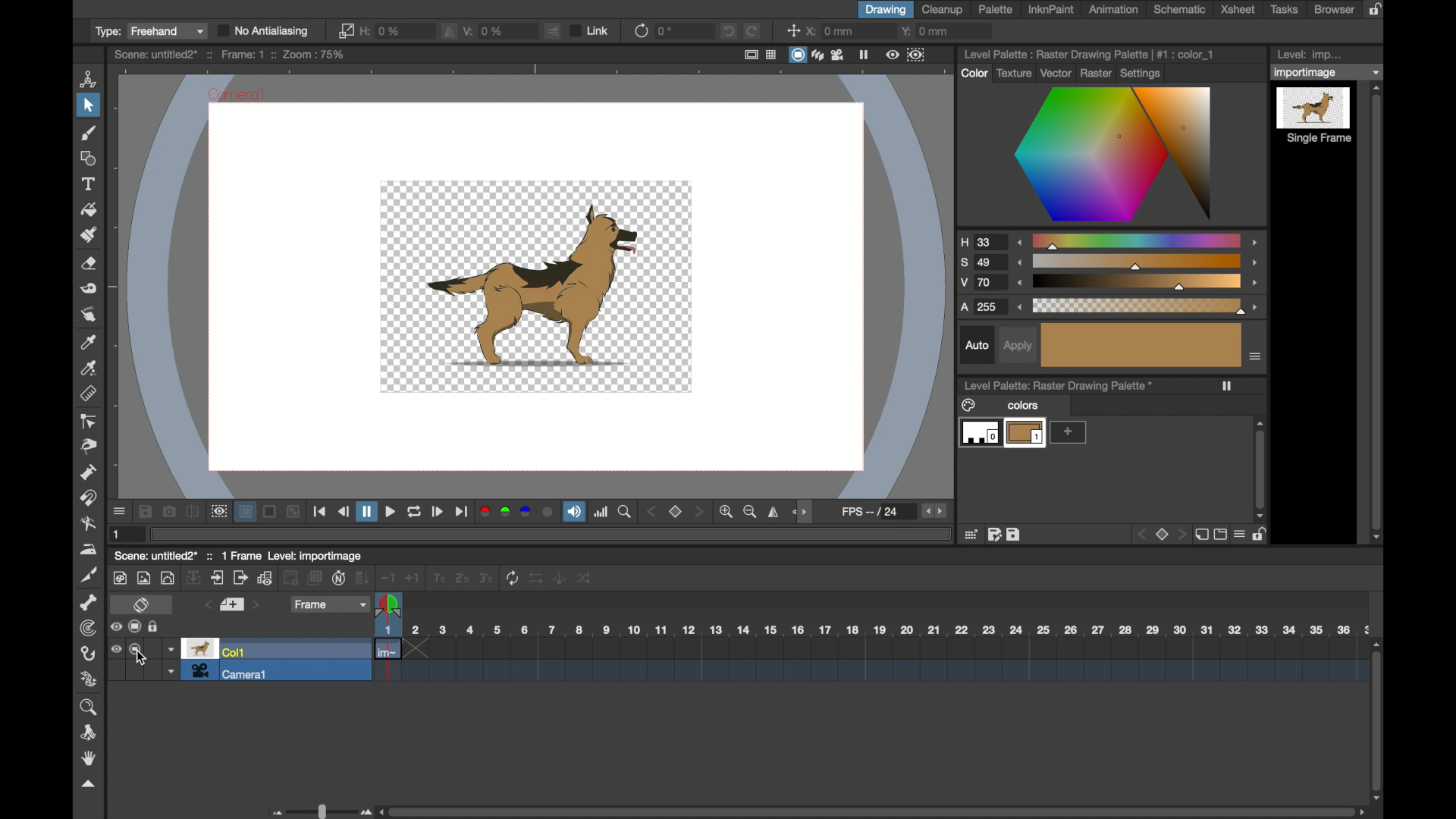 Image resolution: width=1456 pixels, height=819 pixels. I want to click on swap, so click(537, 577).